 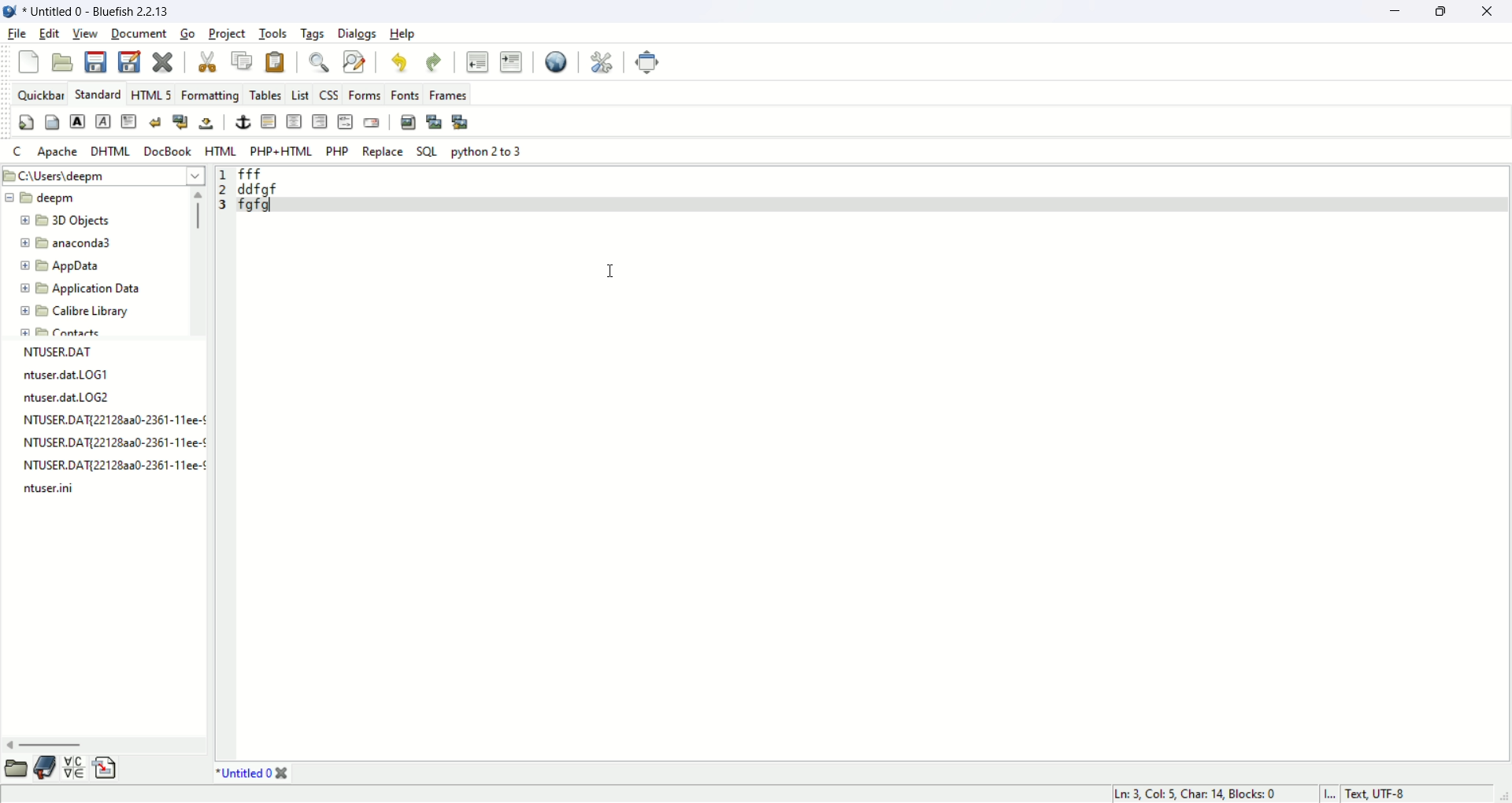 What do you see at coordinates (437, 61) in the screenshot?
I see `redo` at bounding box center [437, 61].